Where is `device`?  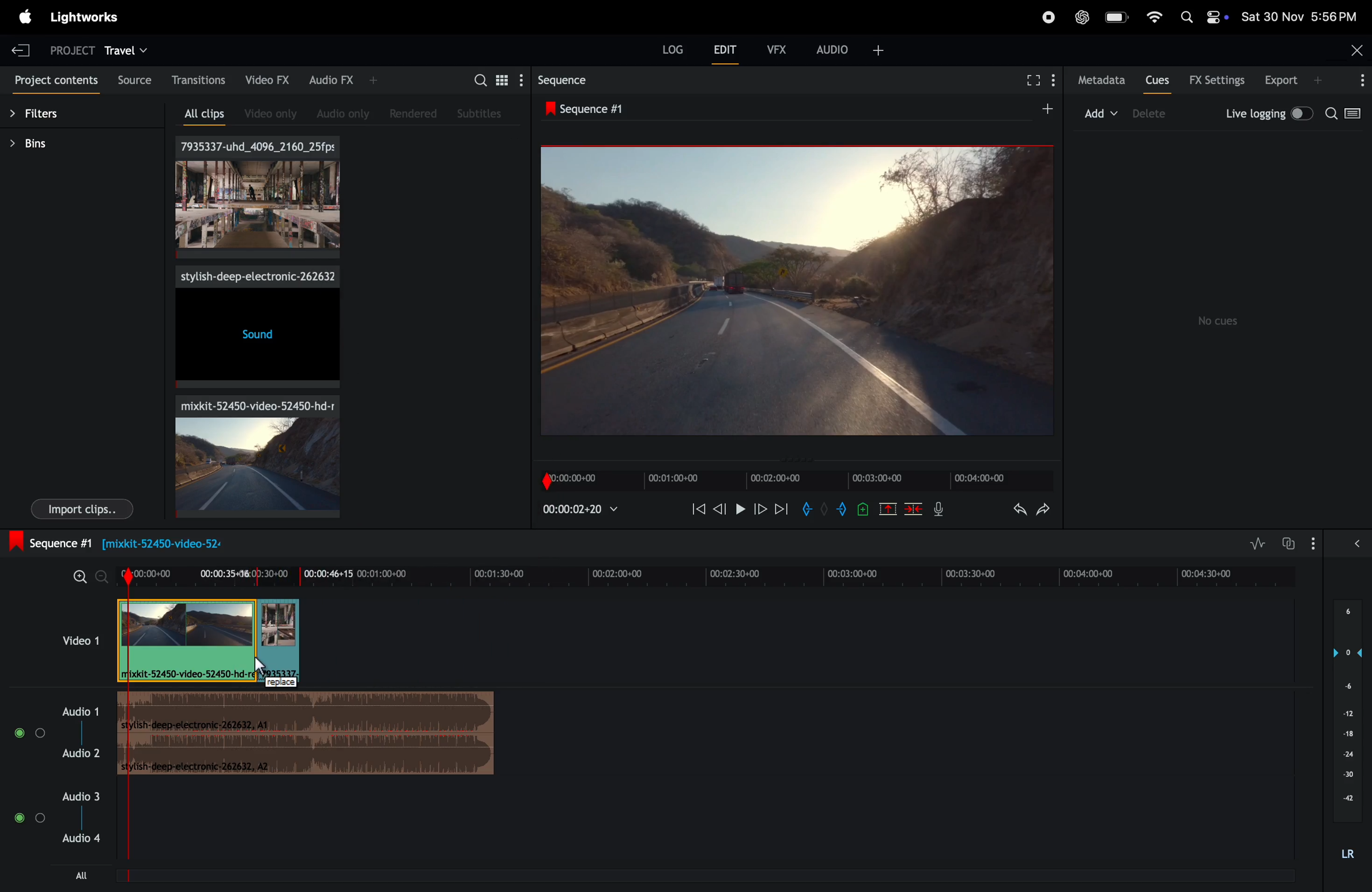
device is located at coordinates (1159, 115).